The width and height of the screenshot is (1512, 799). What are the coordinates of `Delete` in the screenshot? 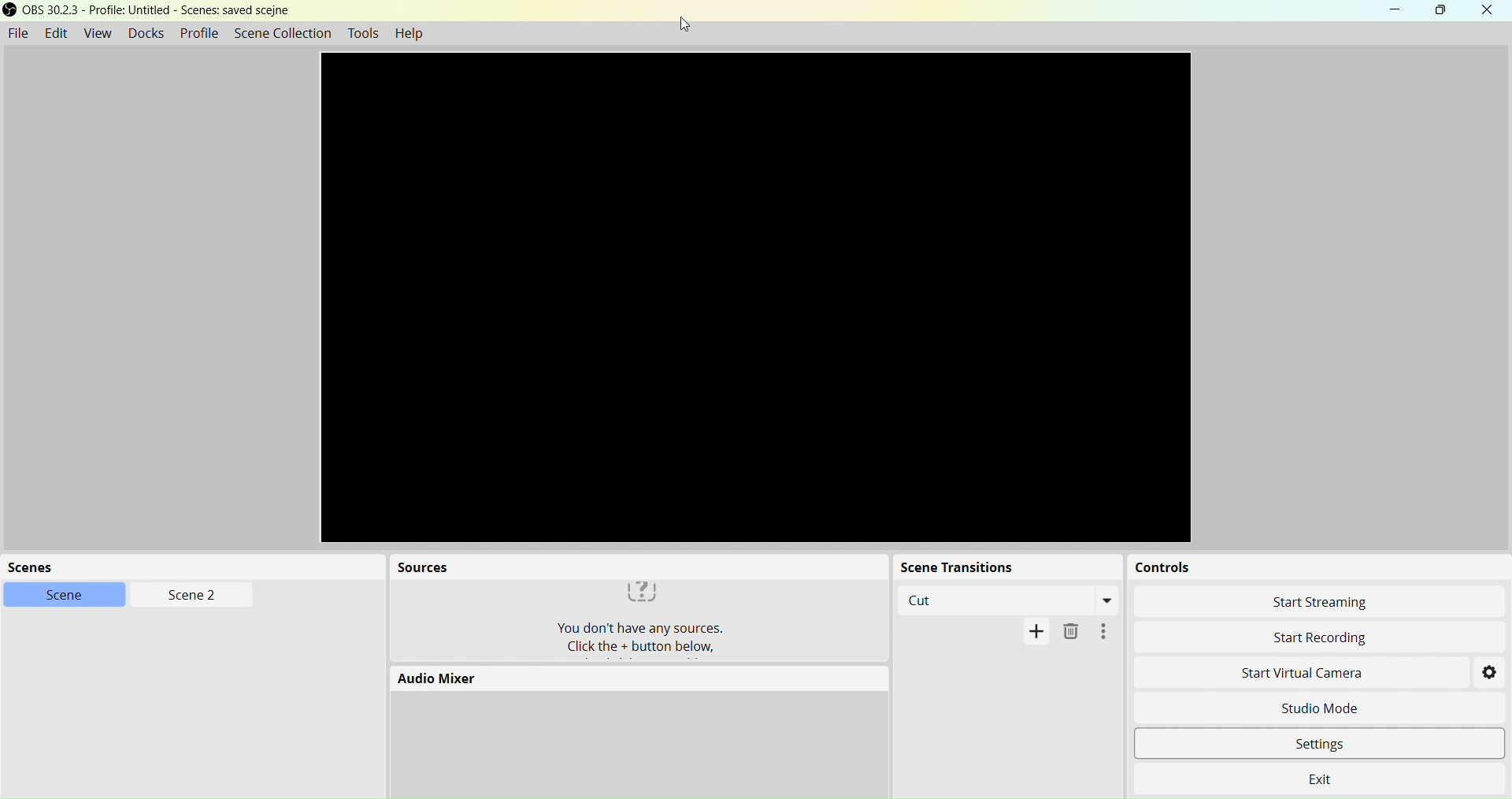 It's located at (1069, 636).